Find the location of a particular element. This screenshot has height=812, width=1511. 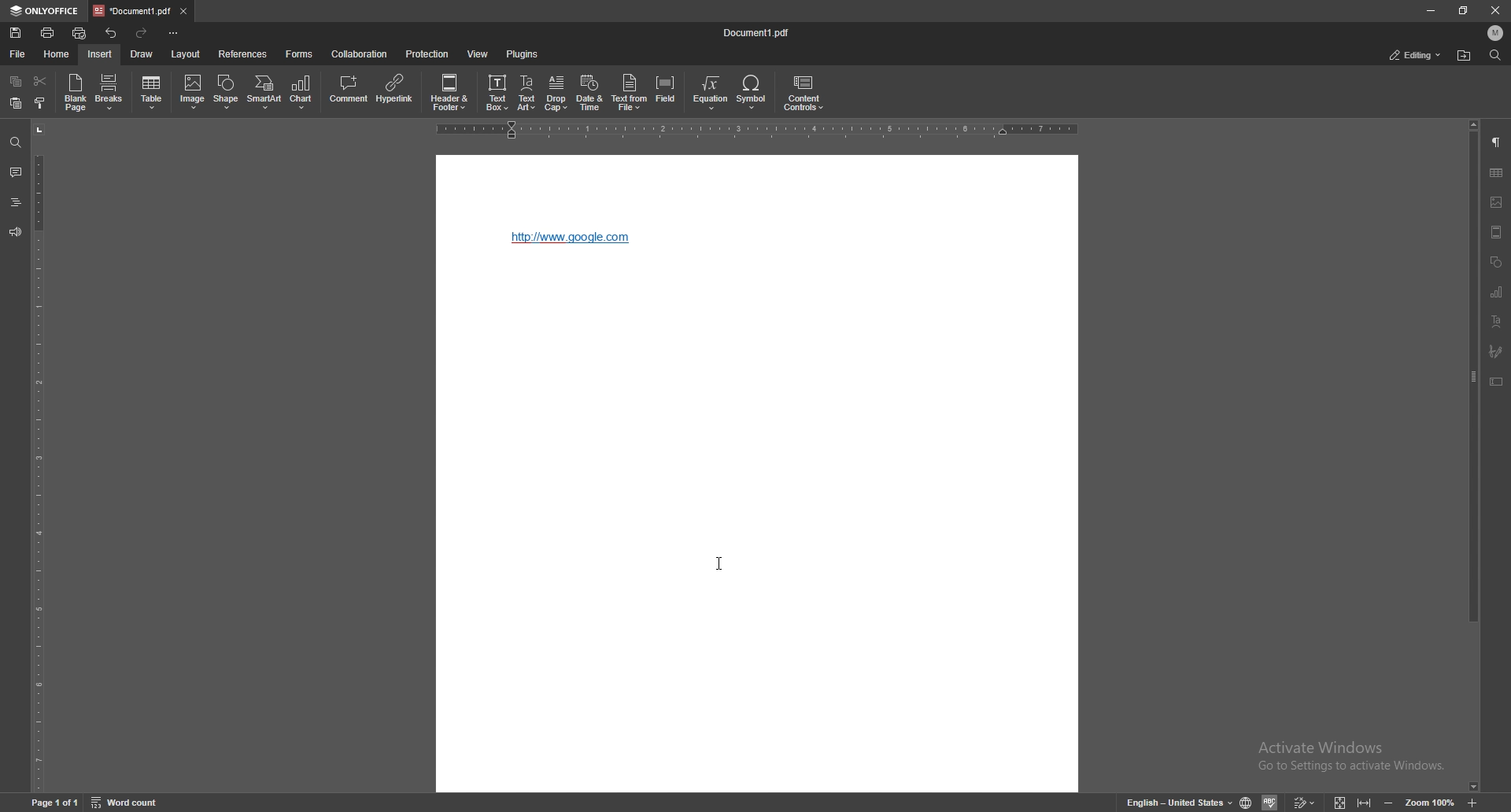

collaboration is located at coordinates (363, 53).